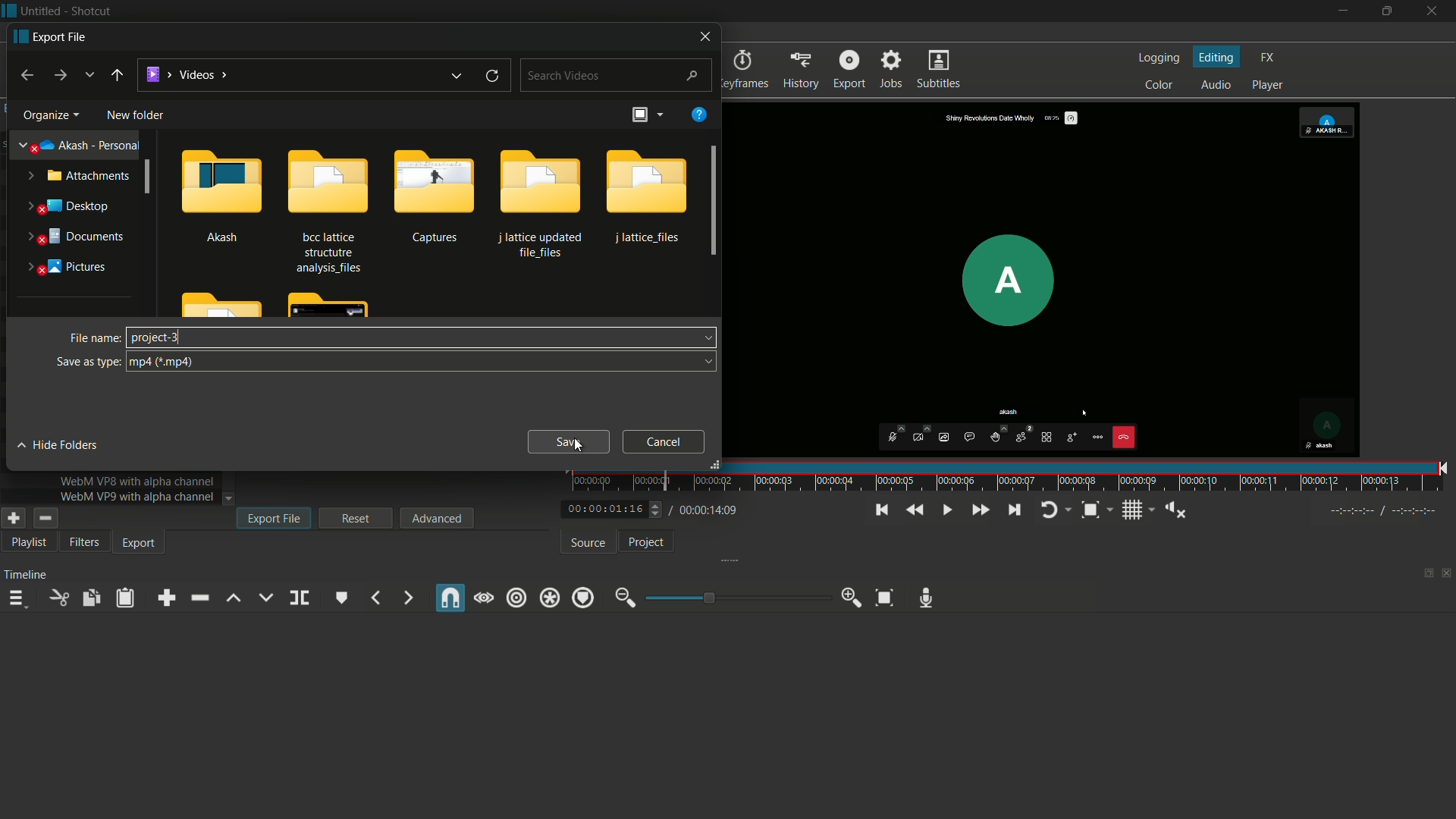 The width and height of the screenshot is (1456, 819). Describe the element at coordinates (60, 598) in the screenshot. I see `cut` at that location.